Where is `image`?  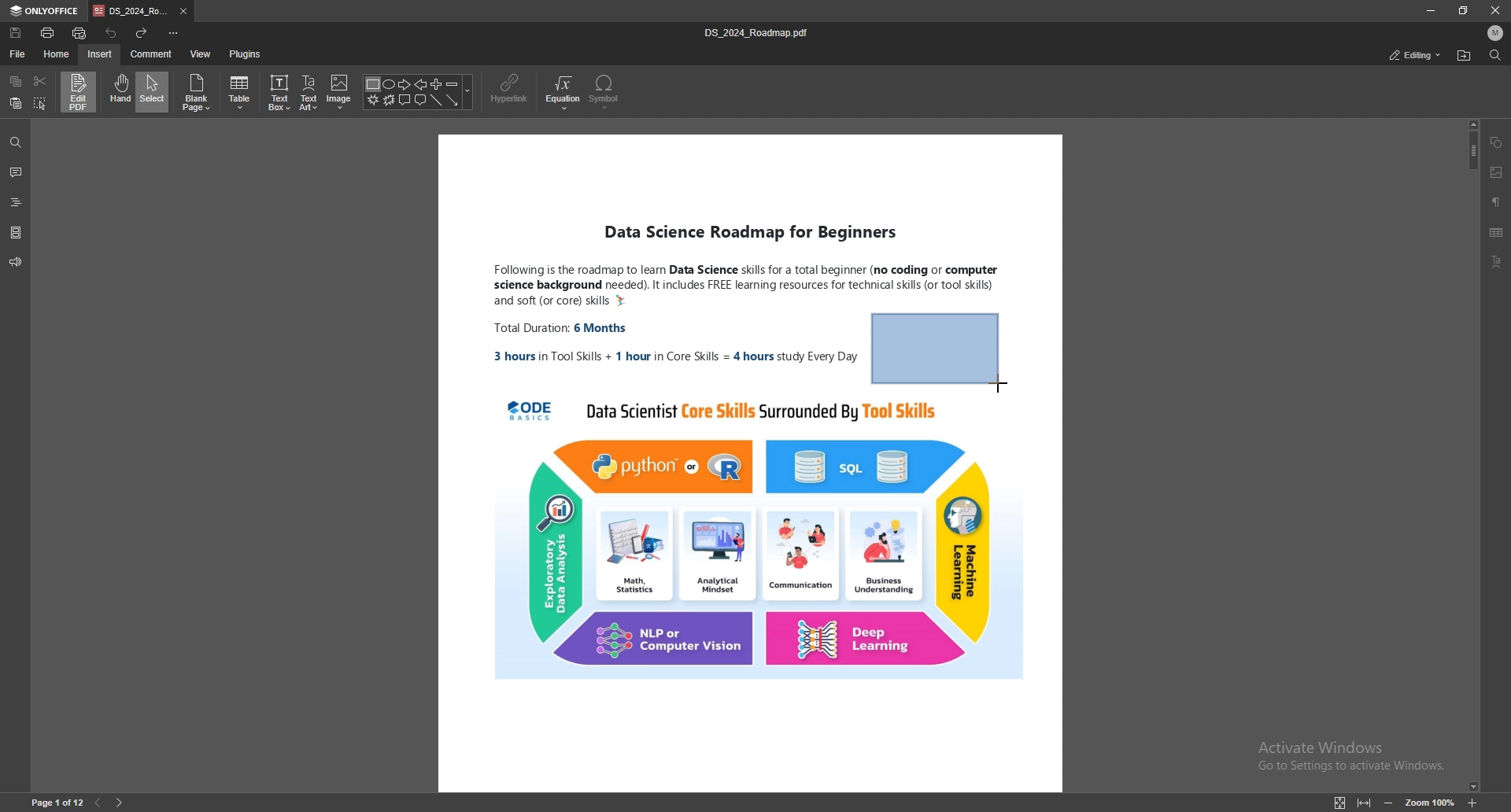 image is located at coordinates (1496, 171).